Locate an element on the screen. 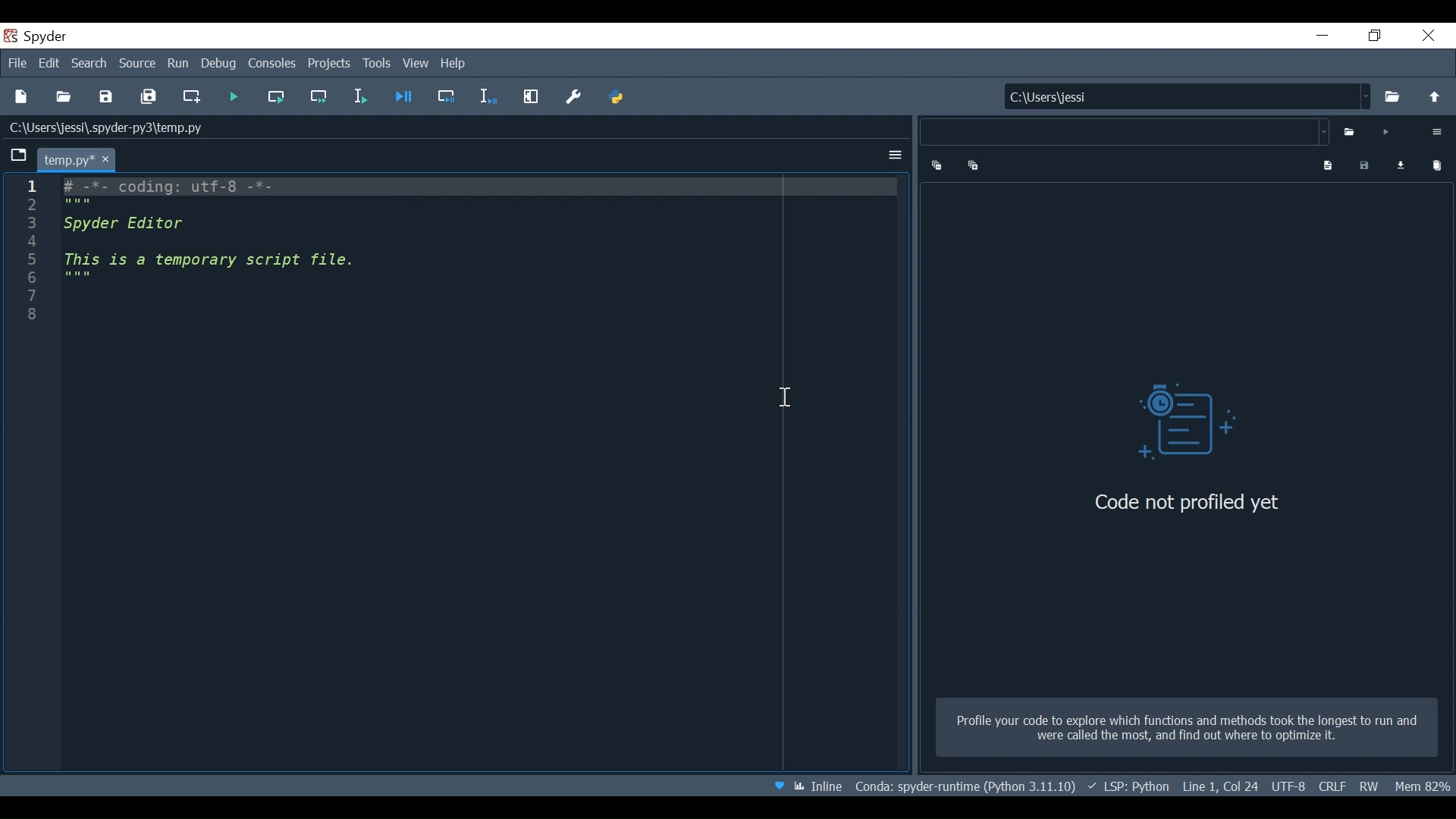  Close is located at coordinates (1427, 35).